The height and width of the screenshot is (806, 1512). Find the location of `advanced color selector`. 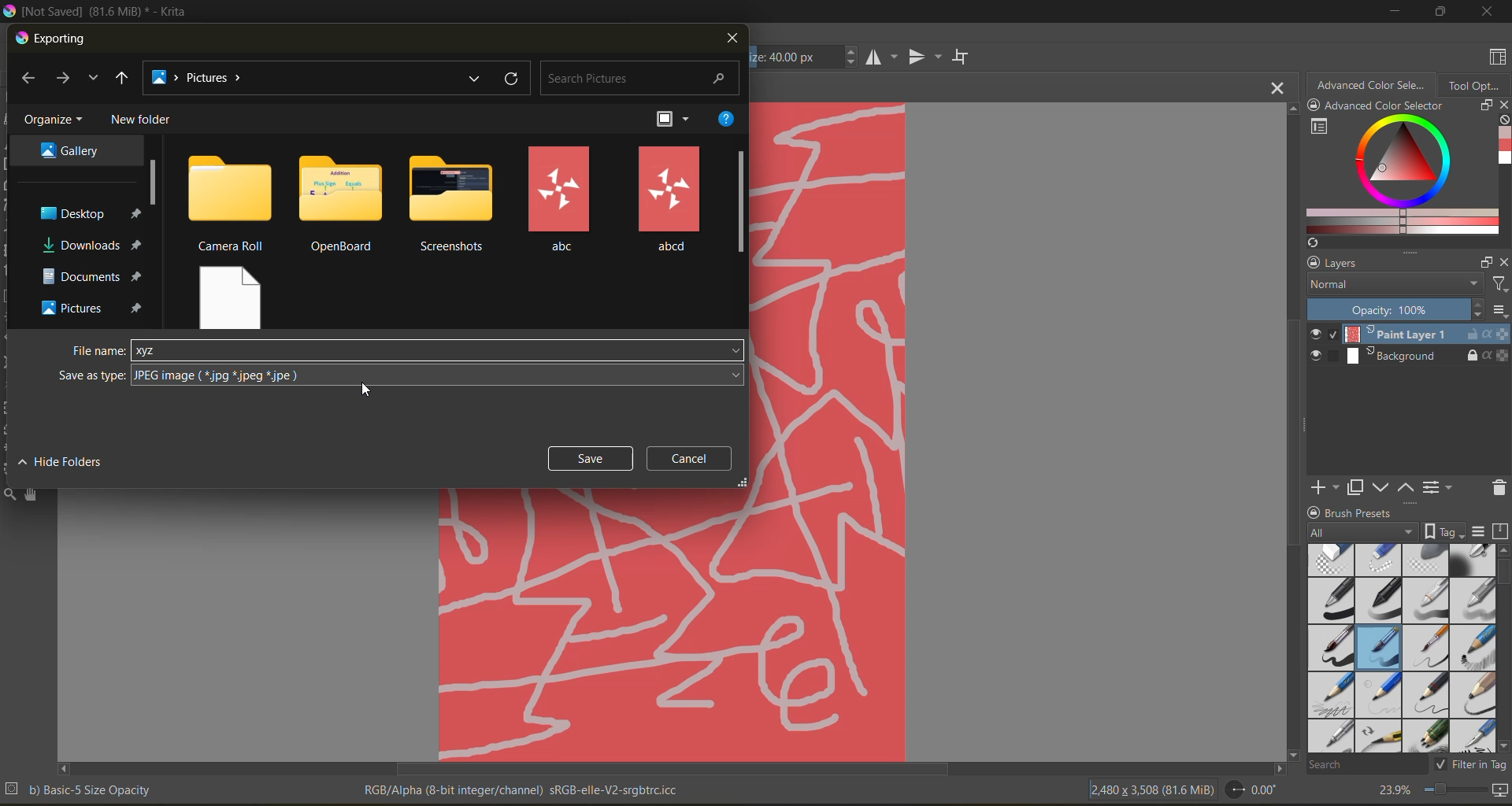

advanced color selector is located at coordinates (1397, 176).